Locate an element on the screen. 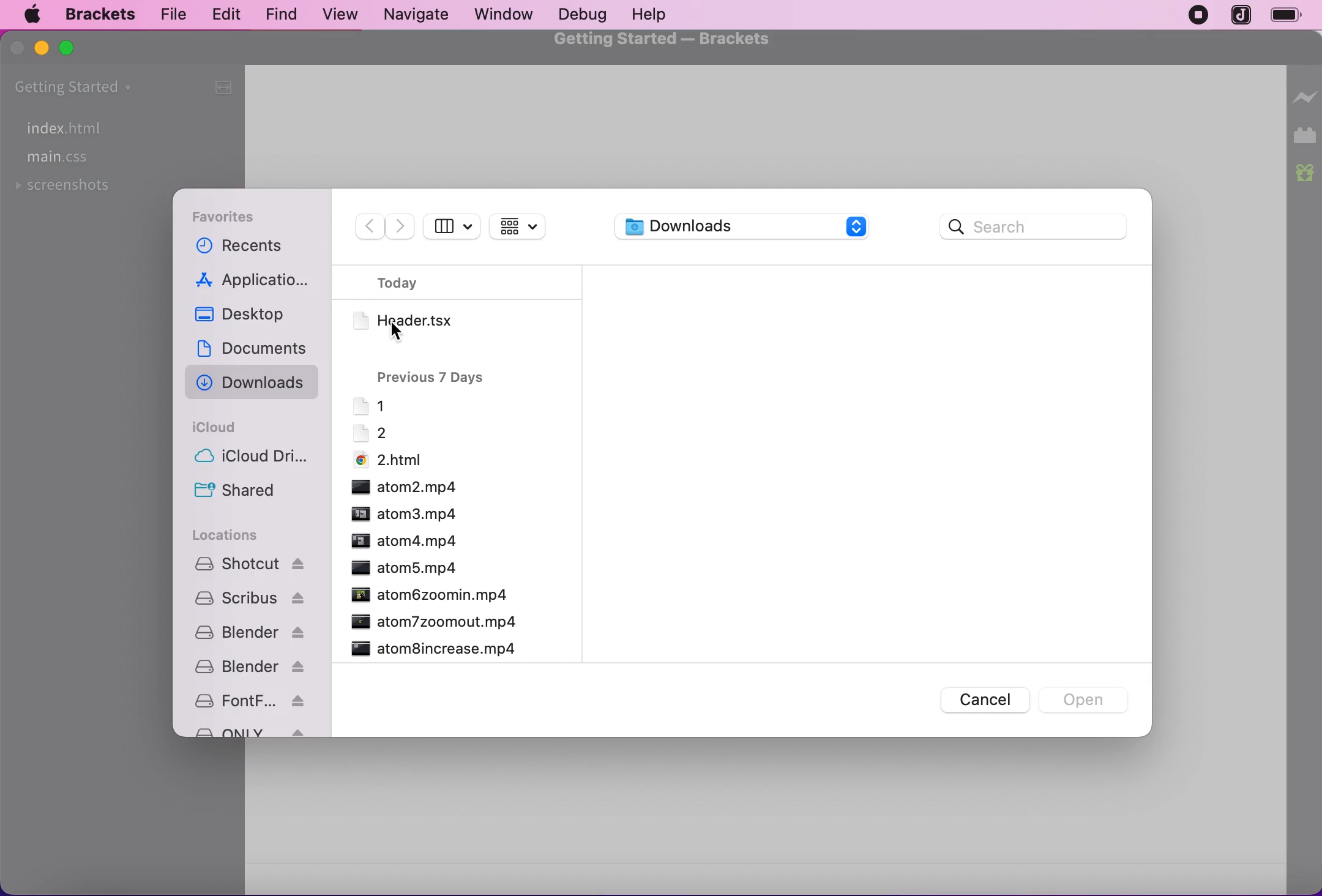 This screenshot has width=1322, height=896. recording stopped is located at coordinates (1194, 16).